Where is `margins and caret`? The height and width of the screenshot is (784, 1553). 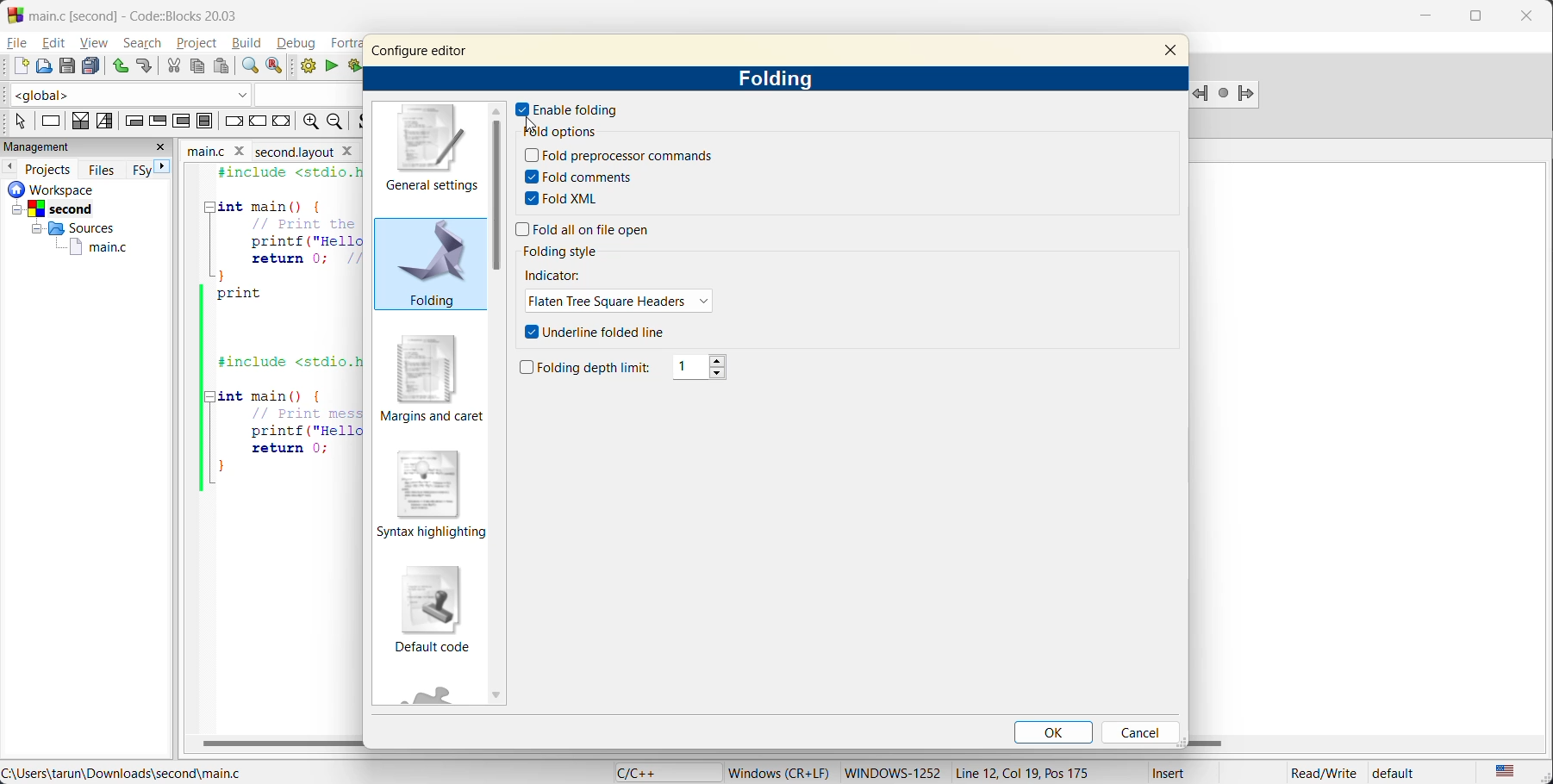
margins and caret is located at coordinates (434, 377).